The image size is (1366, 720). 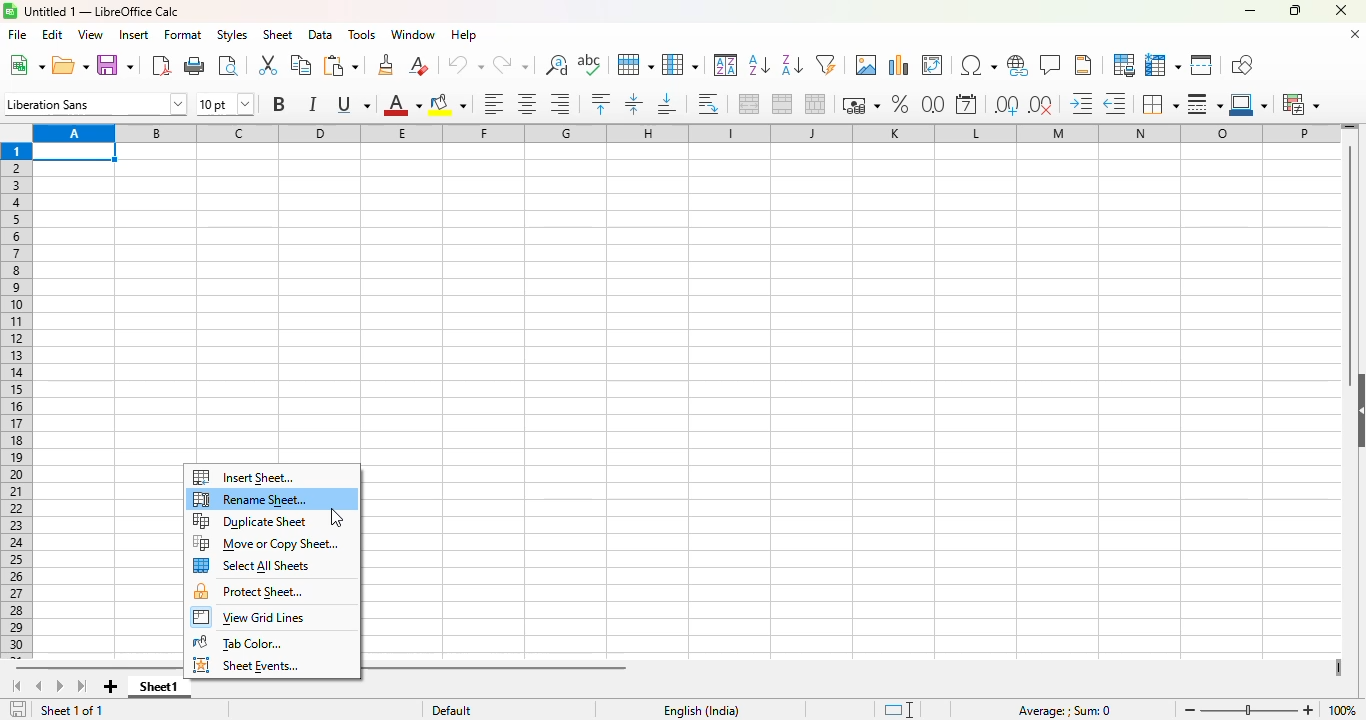 I want to click on view, so click(x=90, y=34).